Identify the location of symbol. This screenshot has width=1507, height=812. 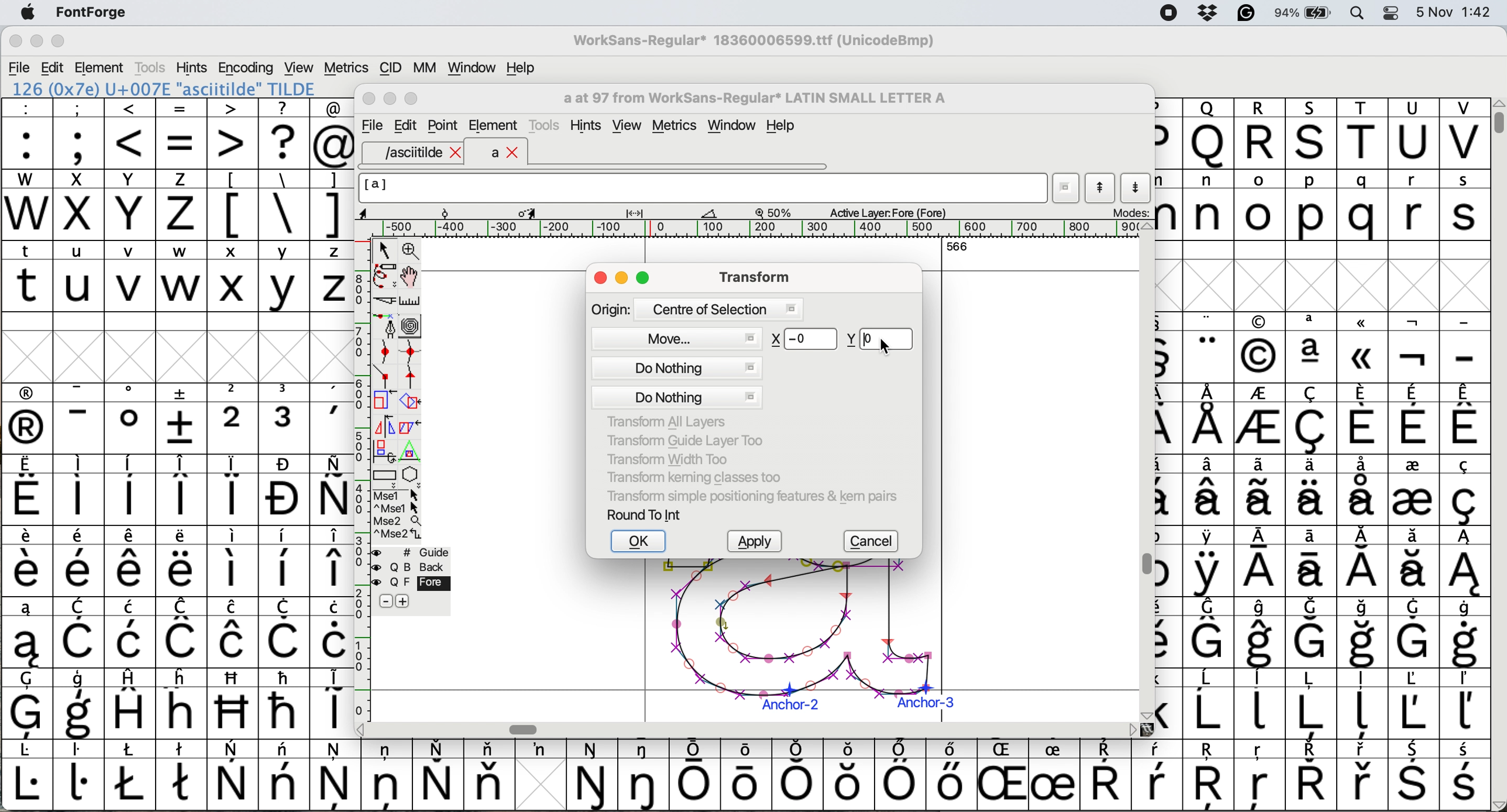
(336, 774).